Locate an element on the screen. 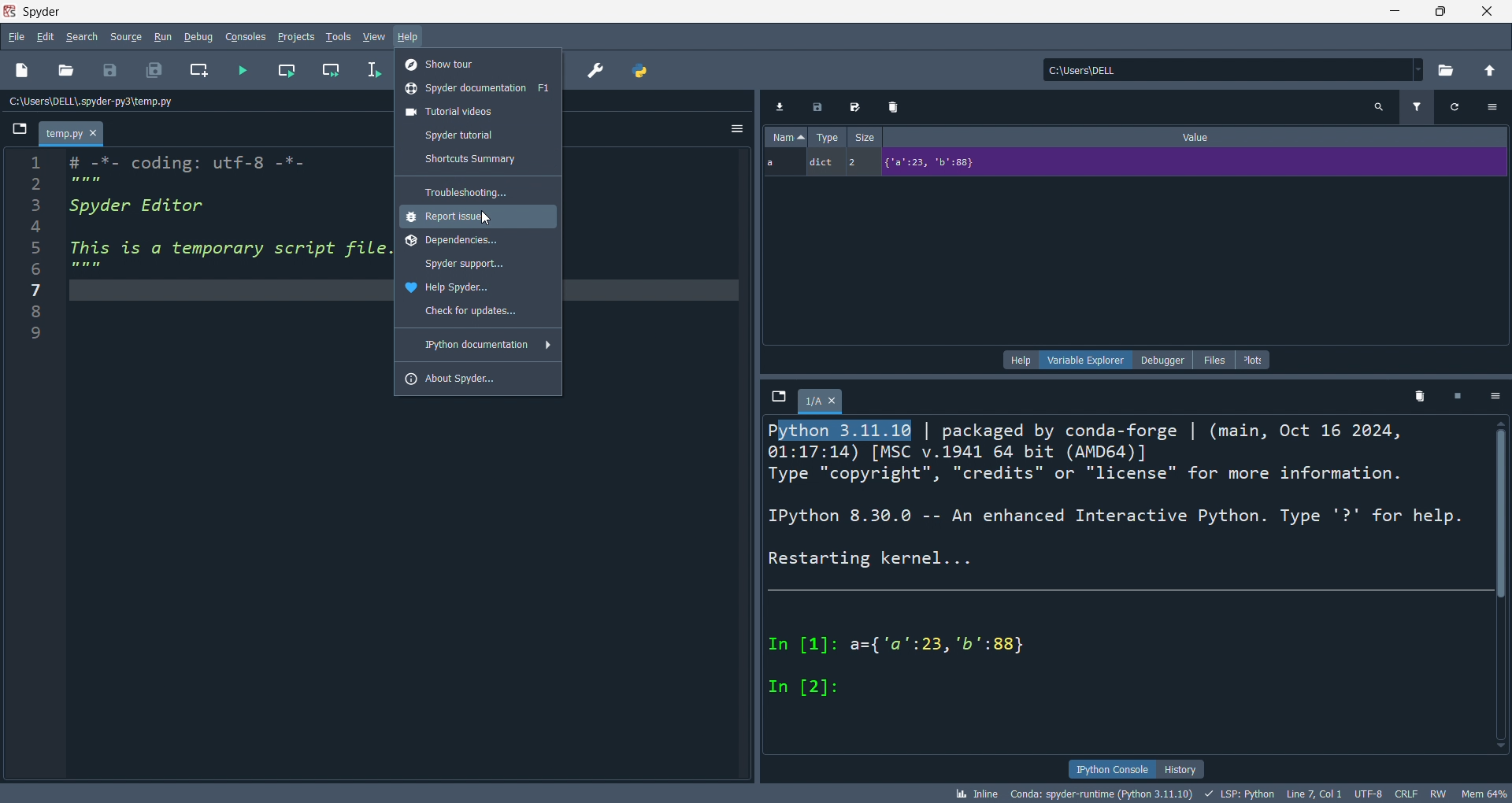 The image size is (1512, 803). Python 3.11.10 | packaged by conda-forge | (main, Oct 16 2024,01:17:14) [MSC v.1941 64 bit (AMD64)]Type "copyright", "credits" or "license" for more information.IPython 8.30.0 -- An enhanced Interactive Python. Type '?' for help.Restarting kernel...In [1]: a={'a":23, 'b':88}In [2]: is located at coordinates (1114, 565).